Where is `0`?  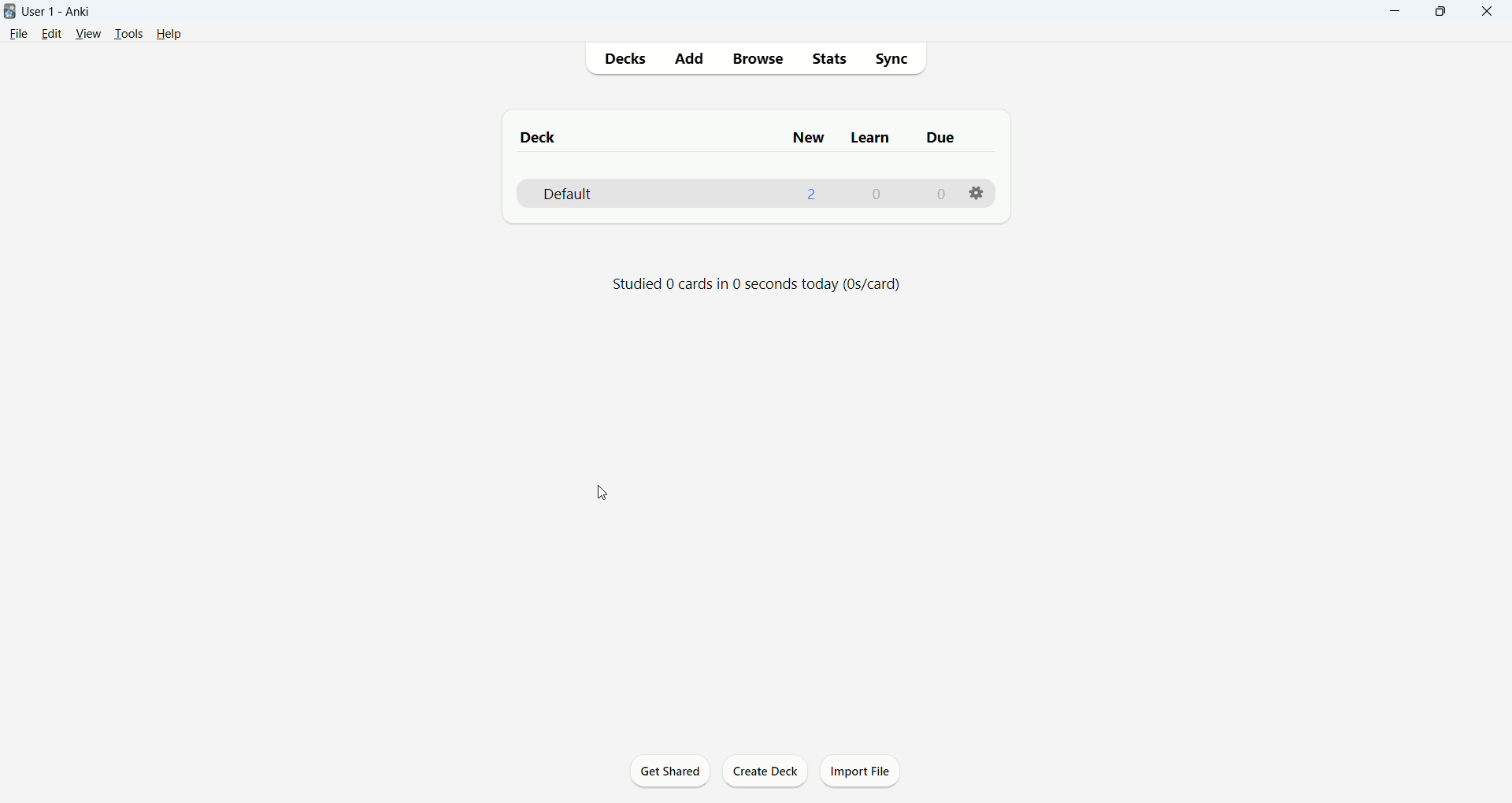 0 is located at coordinates (876, 194).